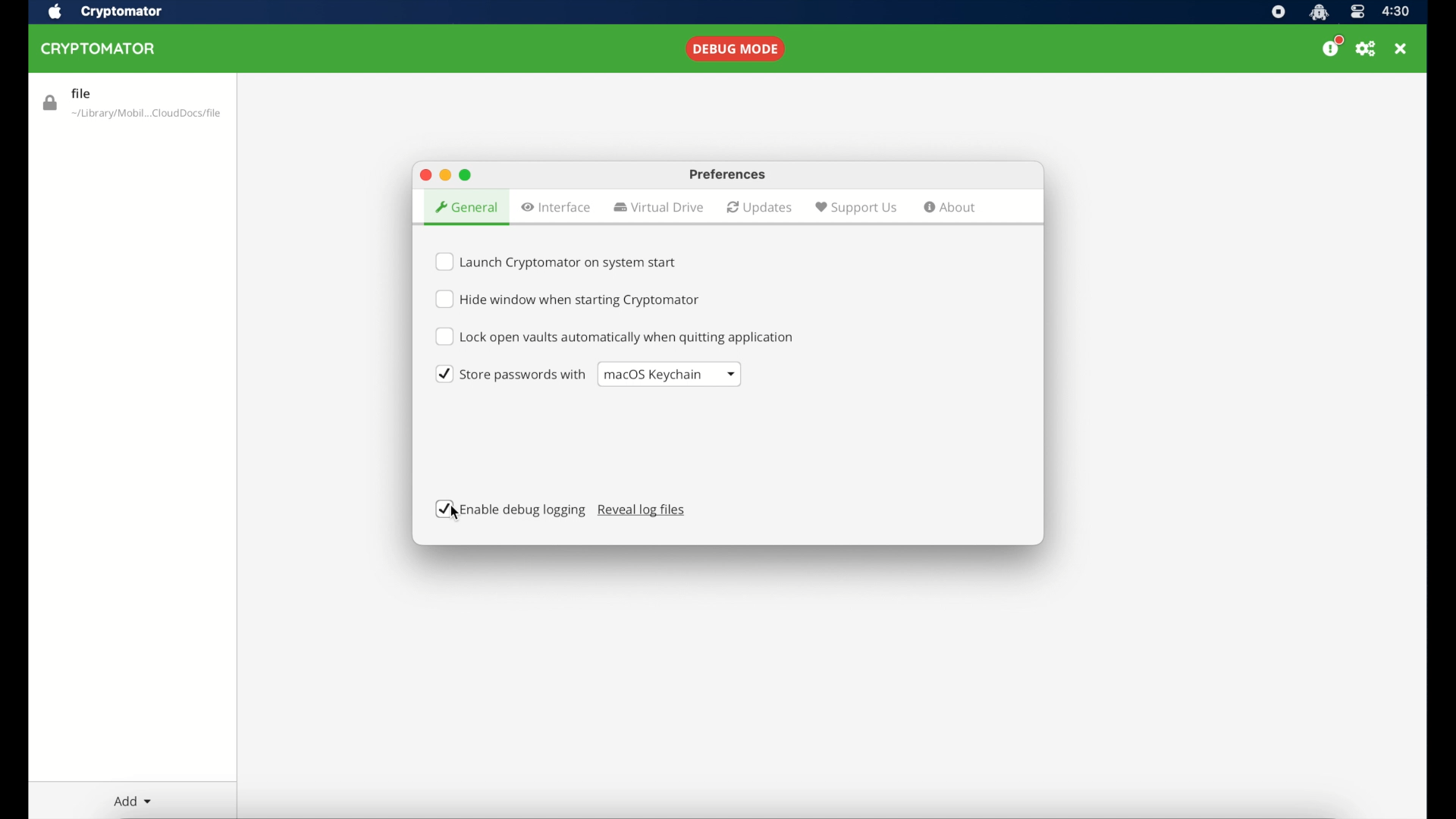 The width and height of the screenshot is (1456, 819). Describe the element at coordinates (133, 802) in the screenshot. I see `add dropdown` at that location.